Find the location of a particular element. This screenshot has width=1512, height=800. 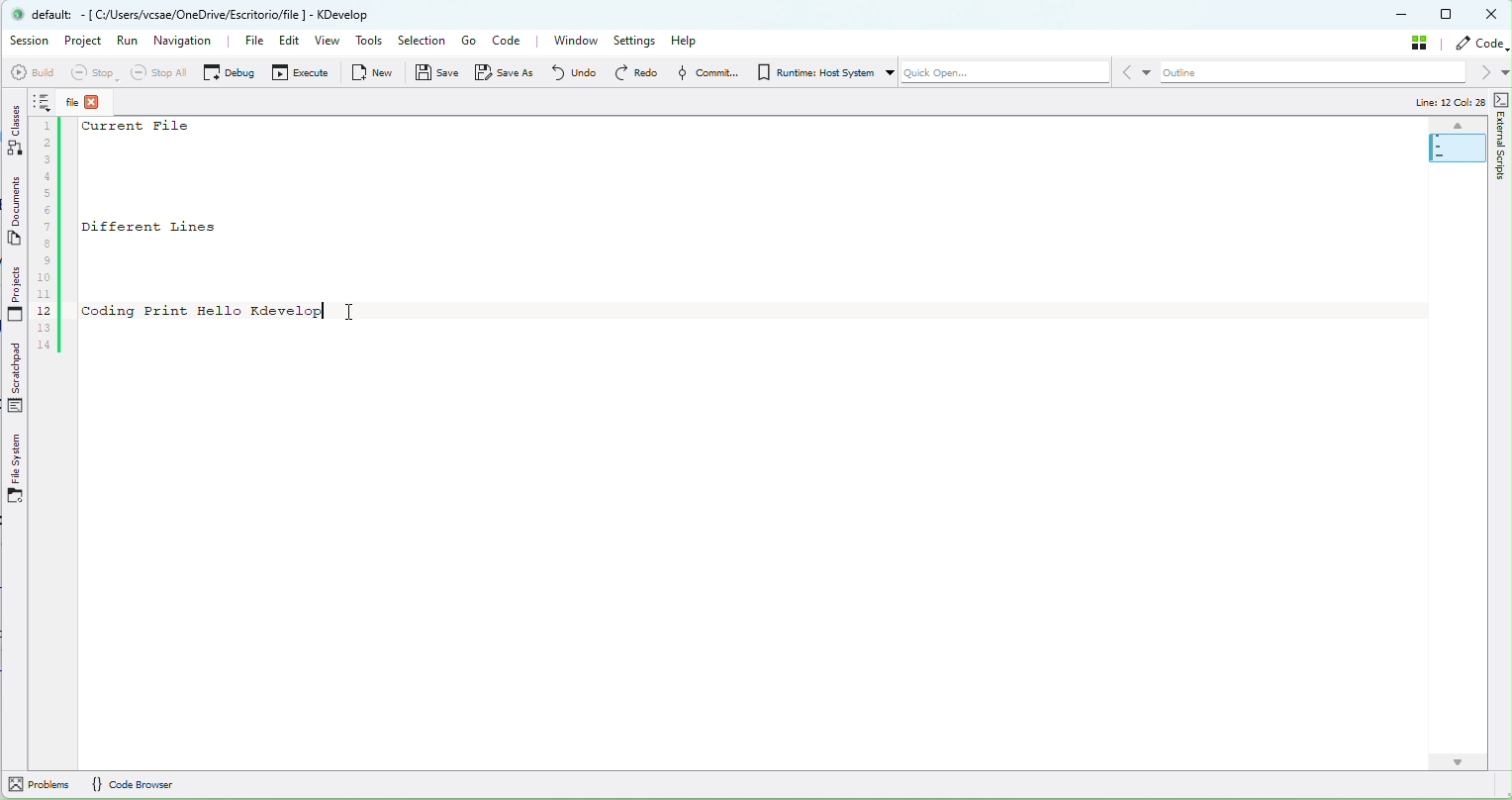

external scripts is located at coordinates (1501, 167).